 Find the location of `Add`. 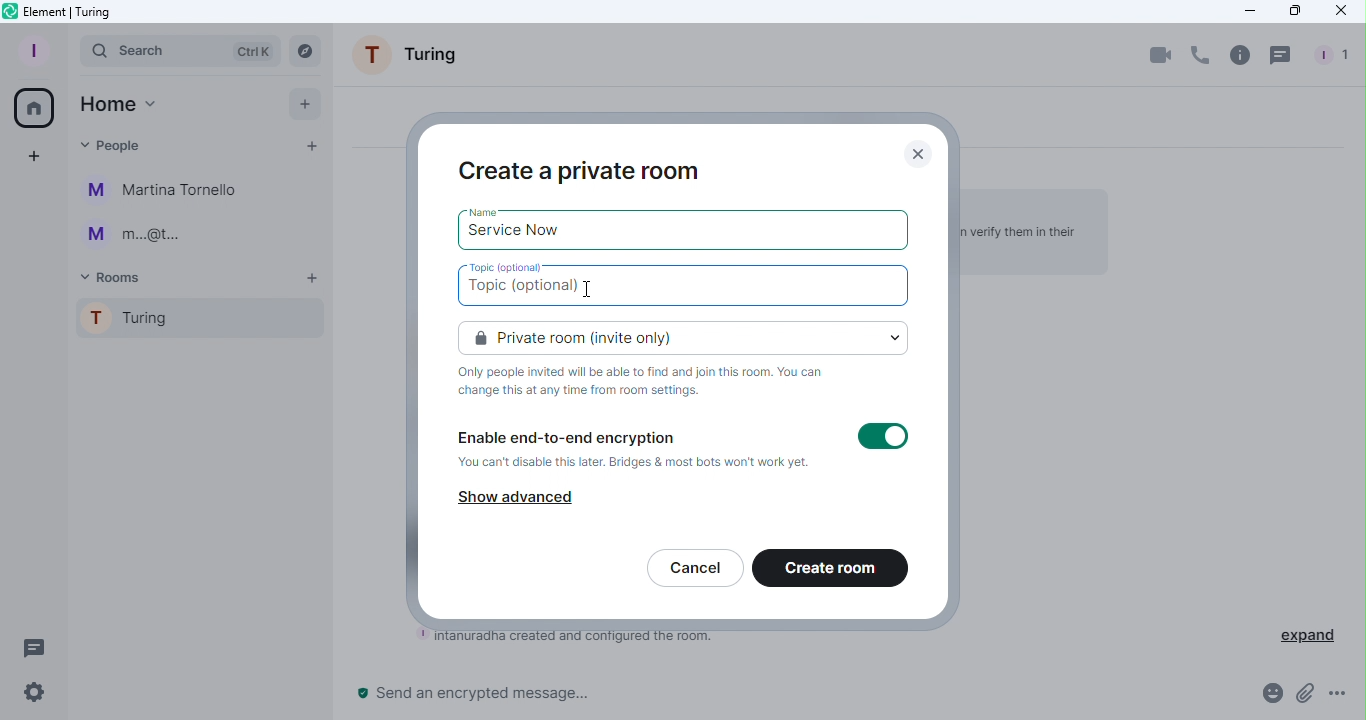

Add is located at coordinates (299, 103).